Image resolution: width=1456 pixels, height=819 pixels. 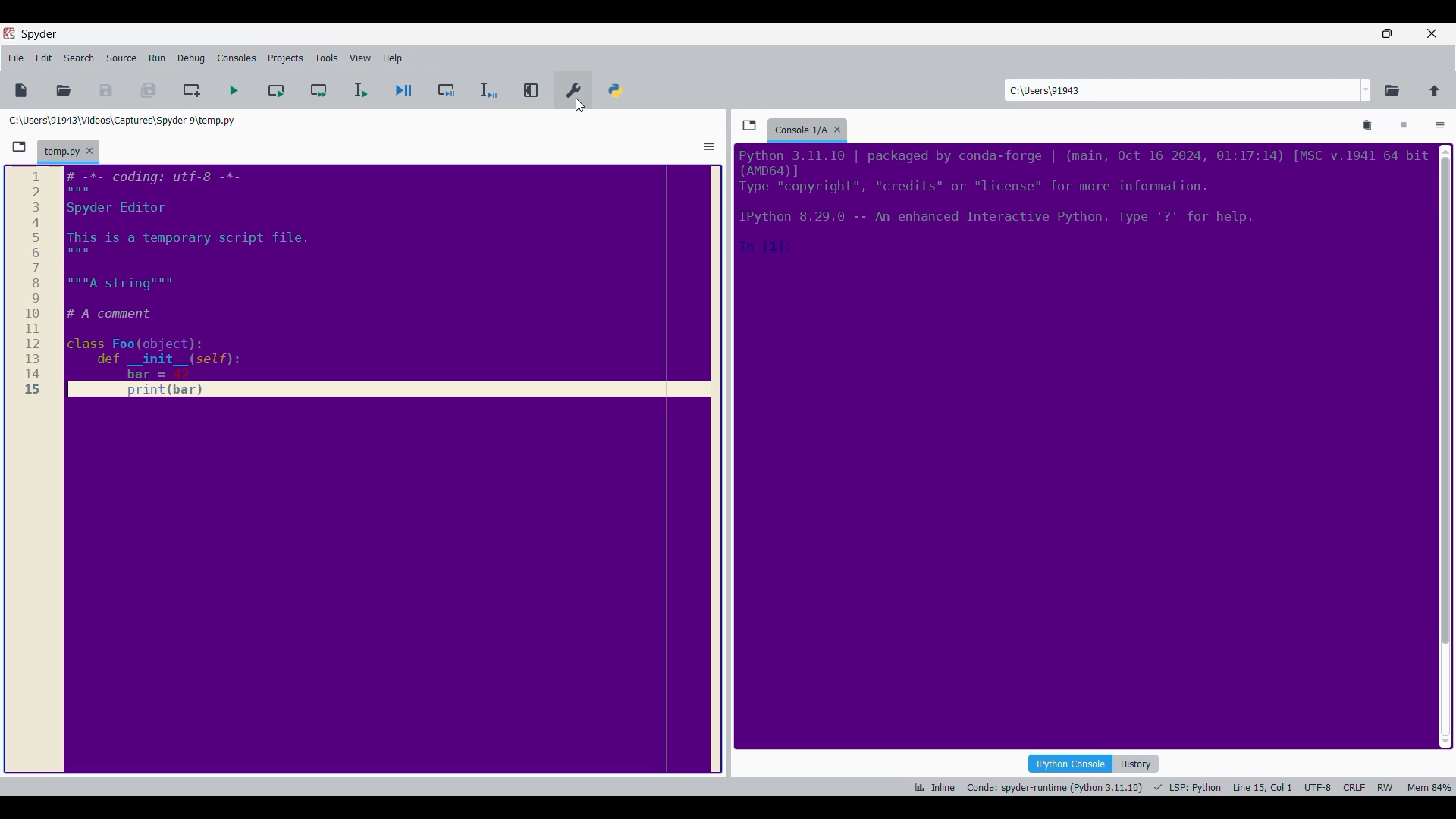 I want to click on  UTF-8, so click(x=1317, y=788).